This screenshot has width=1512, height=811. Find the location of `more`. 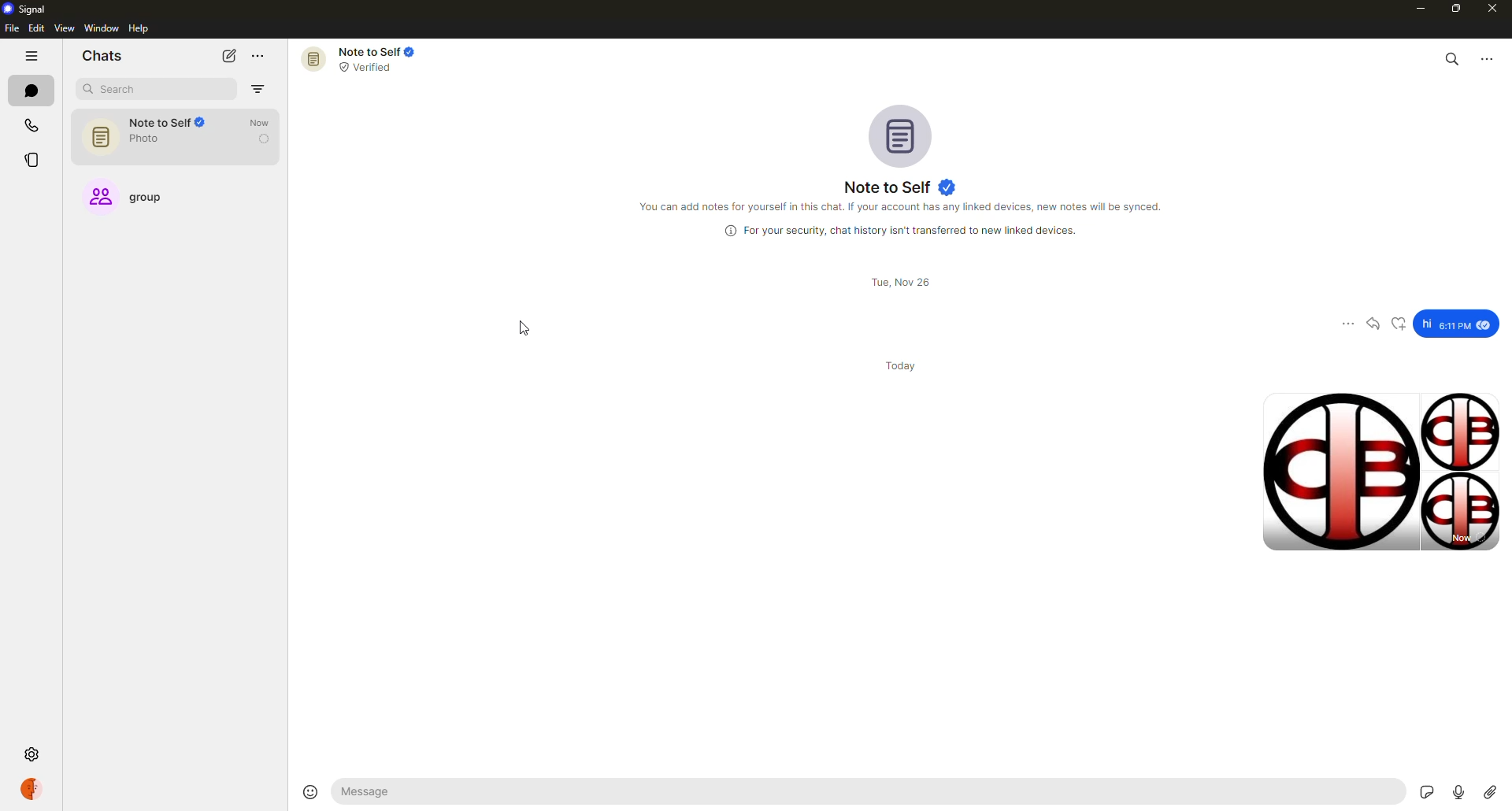

more is located at coordinates (1343, 324).